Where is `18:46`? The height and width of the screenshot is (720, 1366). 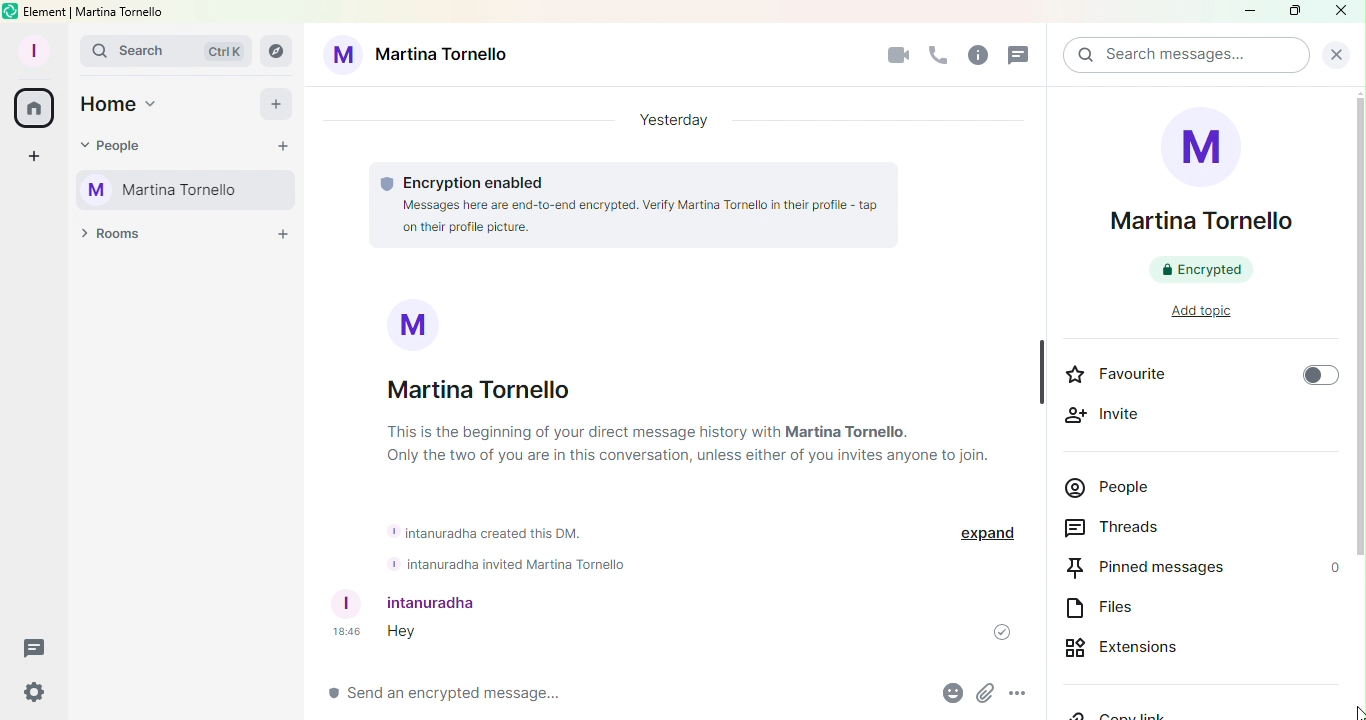 18:46 is located at coordinates (345, 632).